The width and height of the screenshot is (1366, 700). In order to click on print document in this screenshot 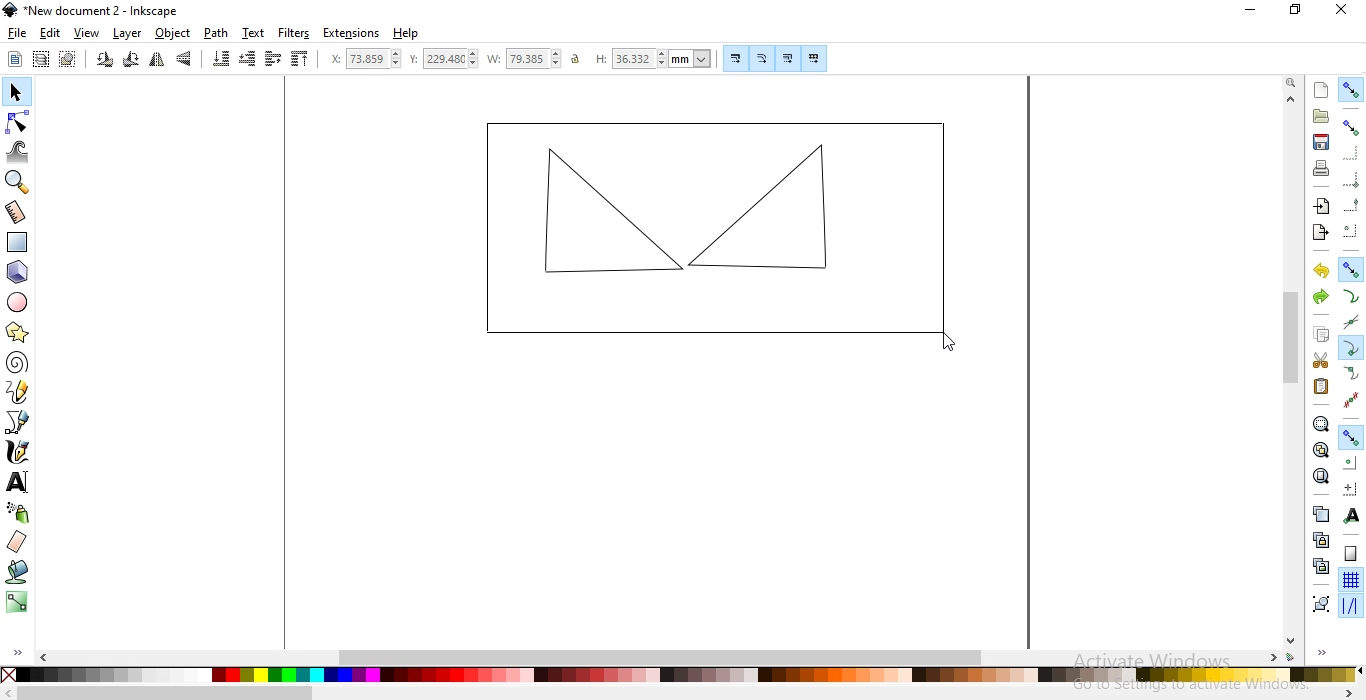, I will do `click(1323, 168)`.